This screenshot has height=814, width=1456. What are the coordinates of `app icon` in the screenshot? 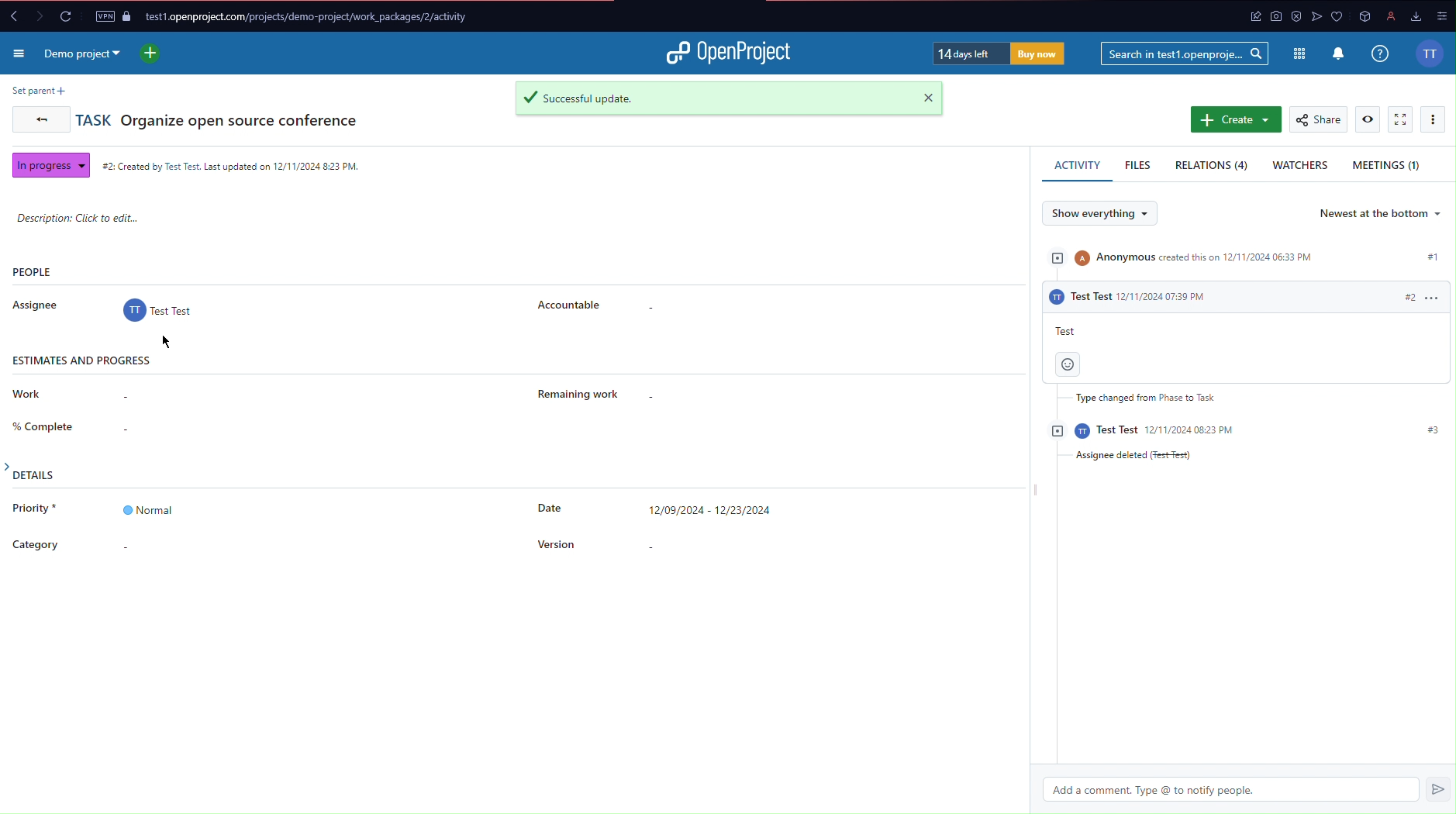 It's located at (1250, 16).